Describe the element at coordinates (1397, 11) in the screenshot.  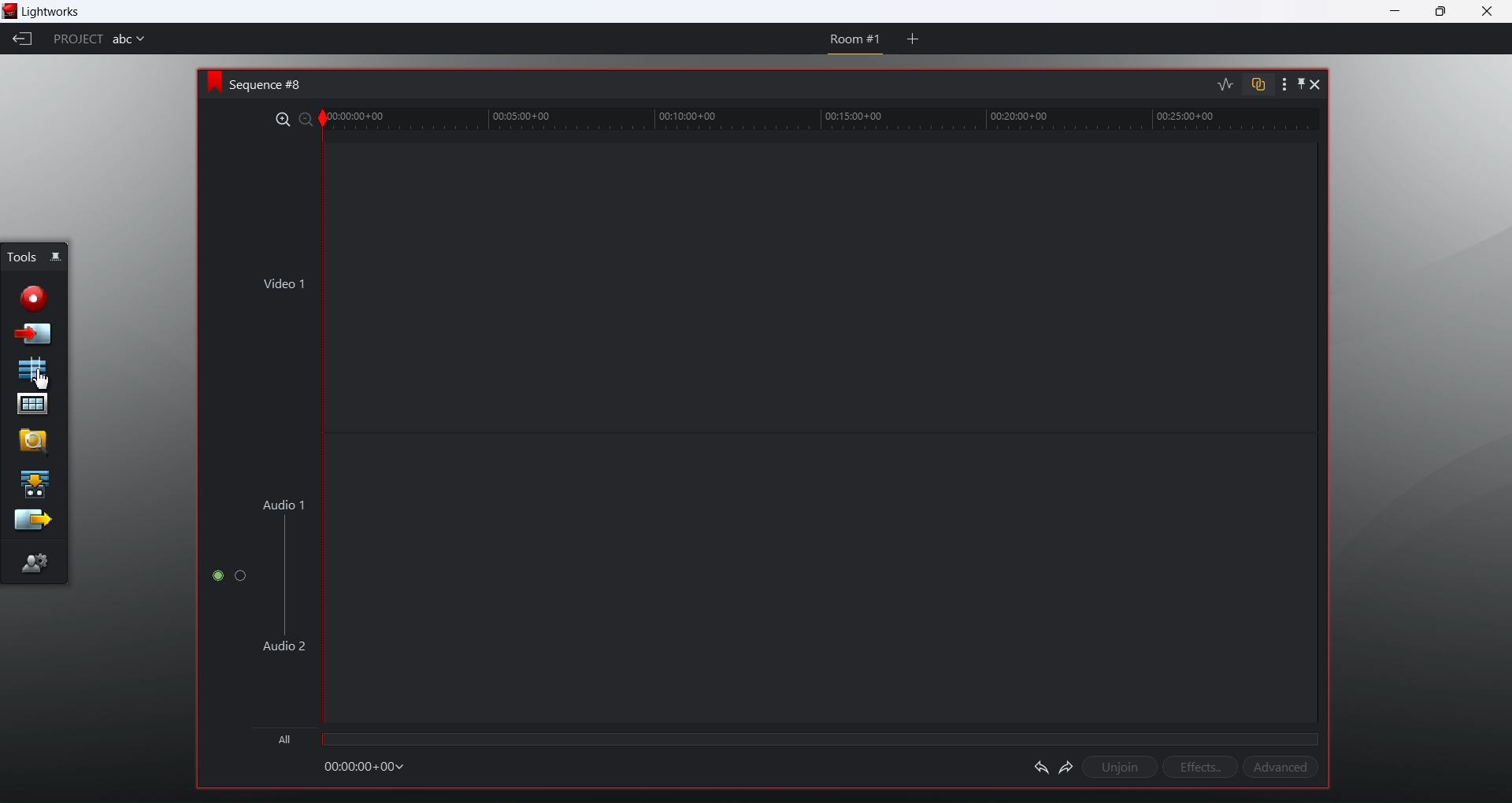
I see `minimize` at that location.